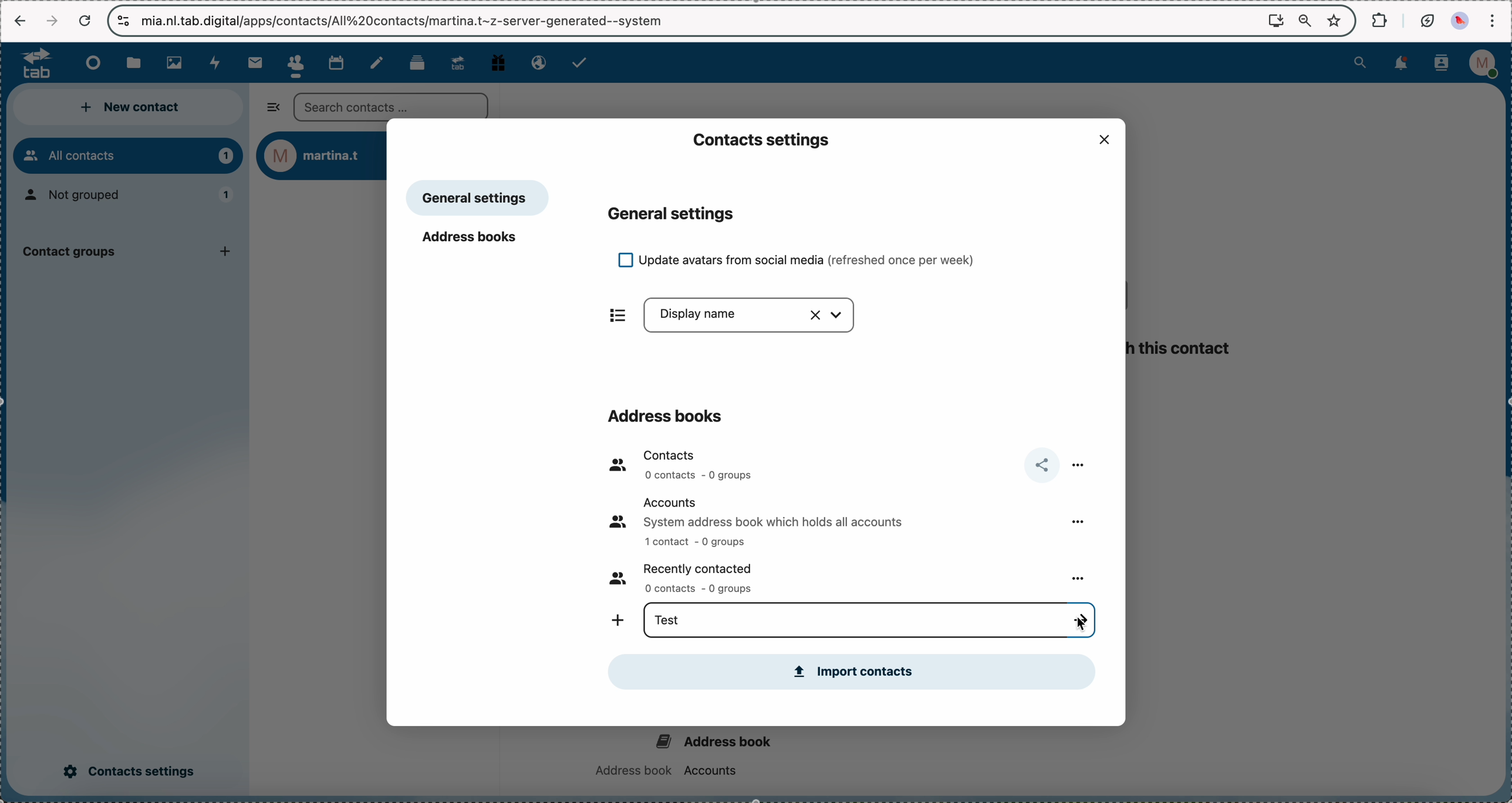  Describe the element at coordinates (1039, 465) in the screenshot. I see `share` at that location.